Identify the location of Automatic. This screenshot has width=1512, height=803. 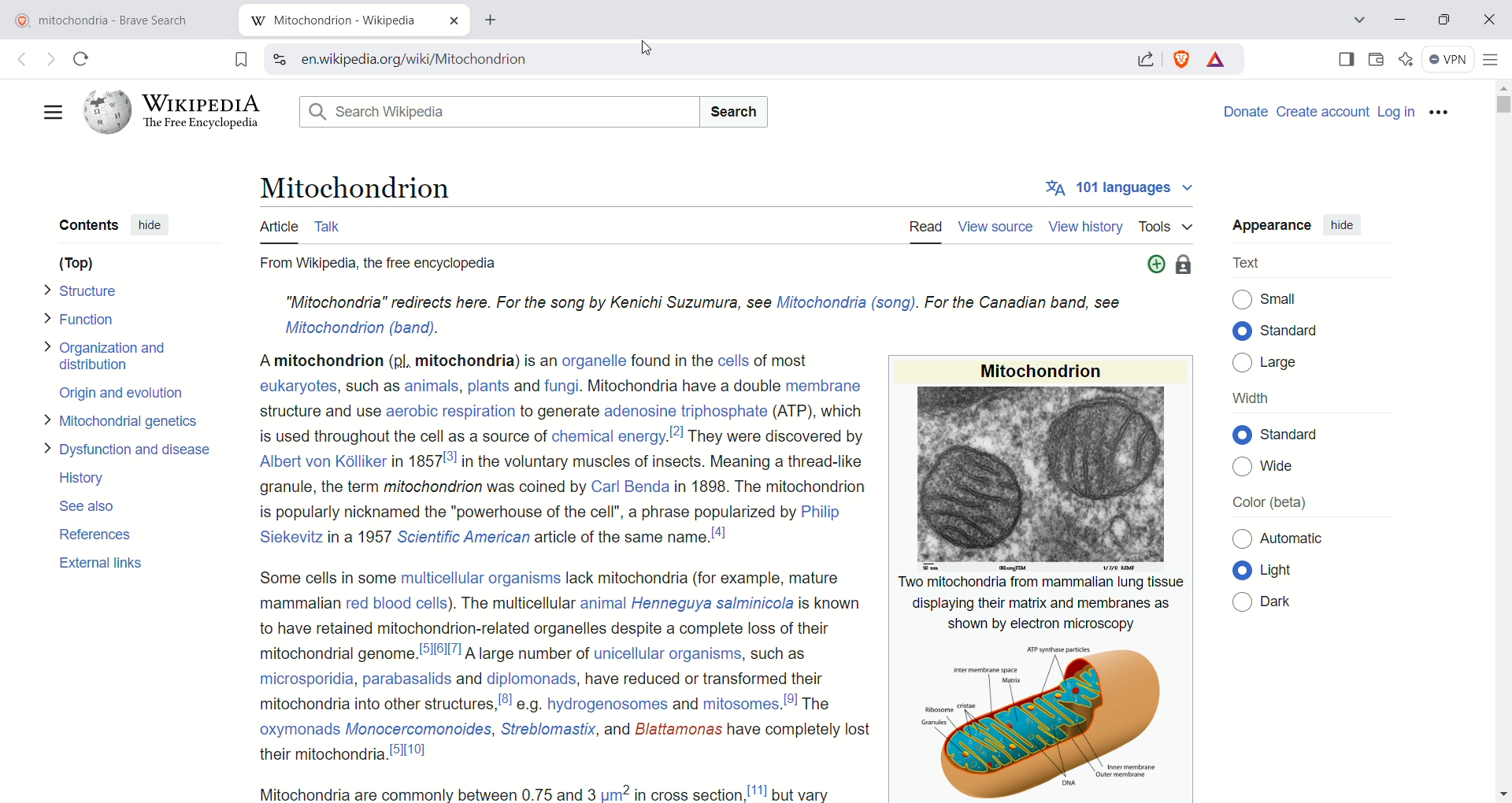
(1293, 538).